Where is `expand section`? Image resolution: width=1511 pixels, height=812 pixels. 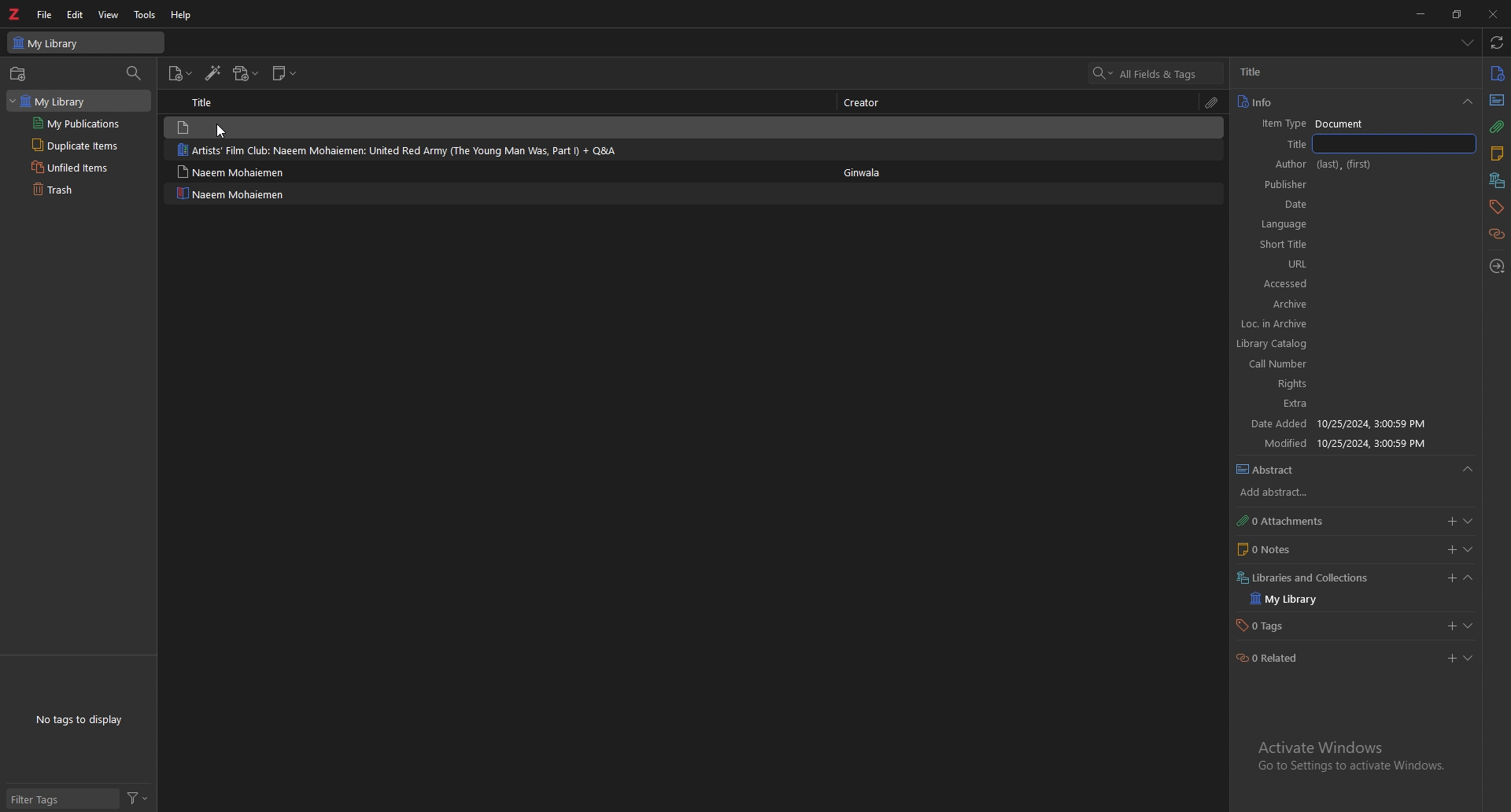
expand section is located at coordinates (1473, 661).